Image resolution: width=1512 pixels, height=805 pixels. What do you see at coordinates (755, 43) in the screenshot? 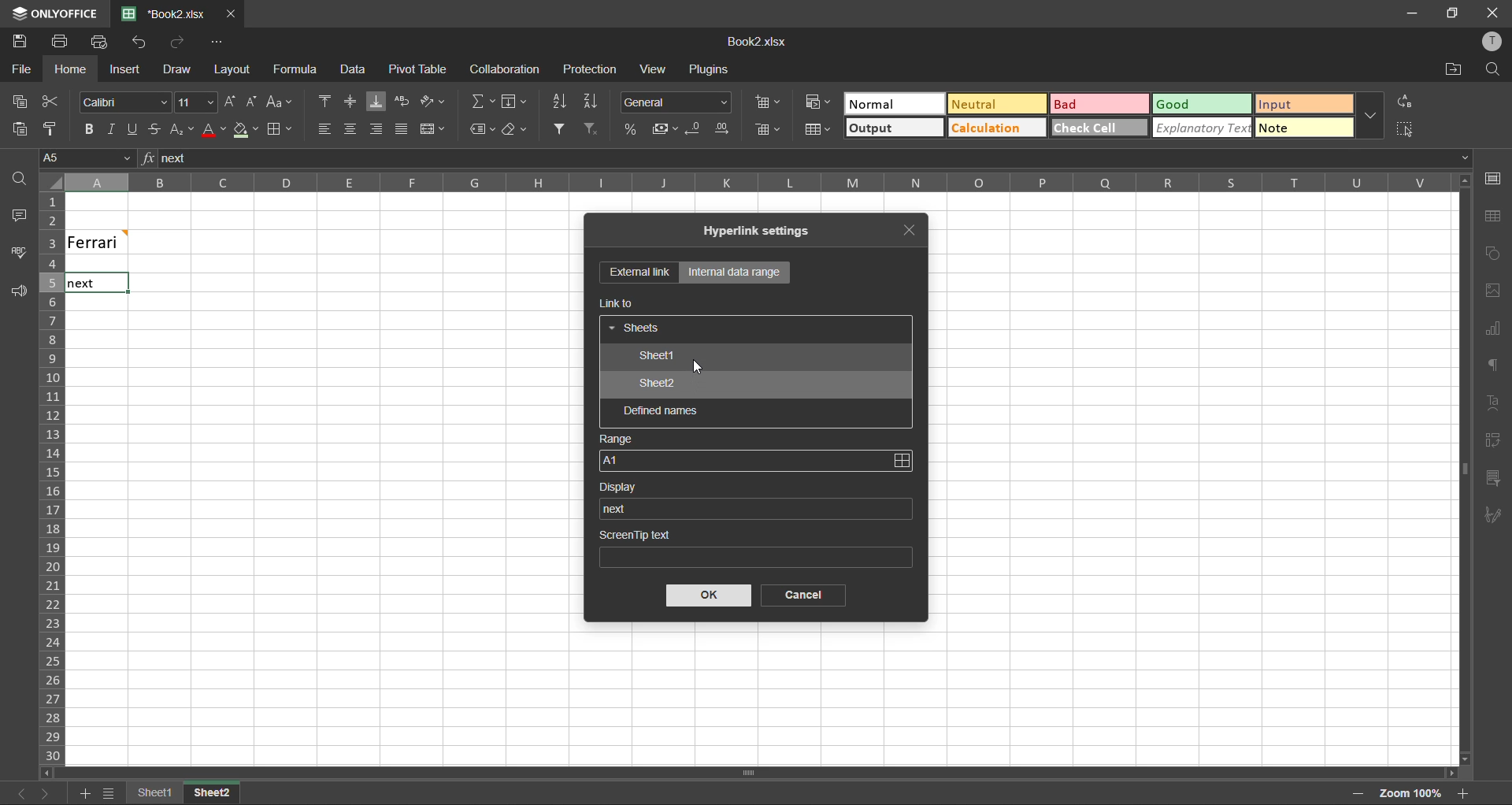
I see `Book2.xlsx` at bounding box center [755, 43].